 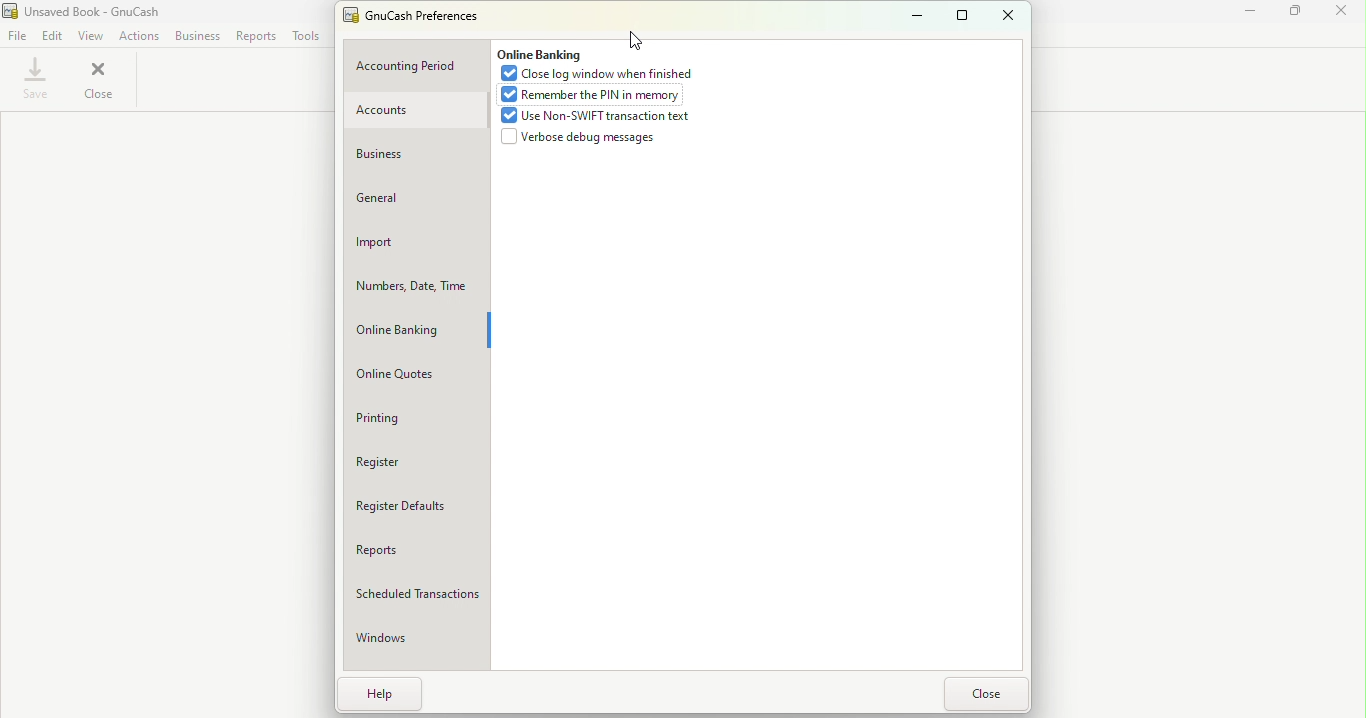 What do you see at coordinates (419, 506) in the screenshot?
I see `Register defaults` at bounding box center [419, 506].